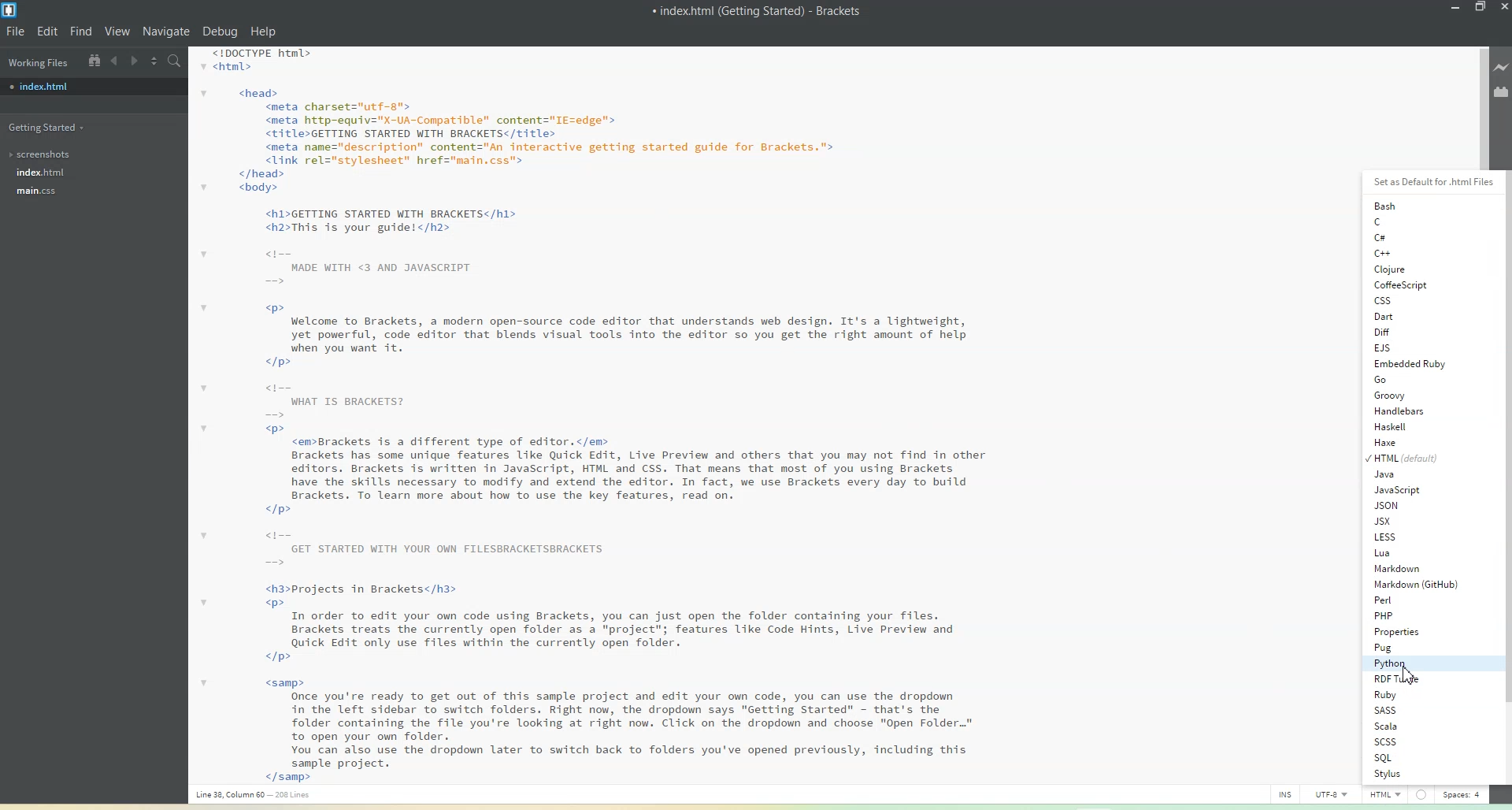 The height and width of the screenshot is (810, 1512). Describe the element at coordinates (1403, 205) in the screenshot. I see `Bash` at that location.